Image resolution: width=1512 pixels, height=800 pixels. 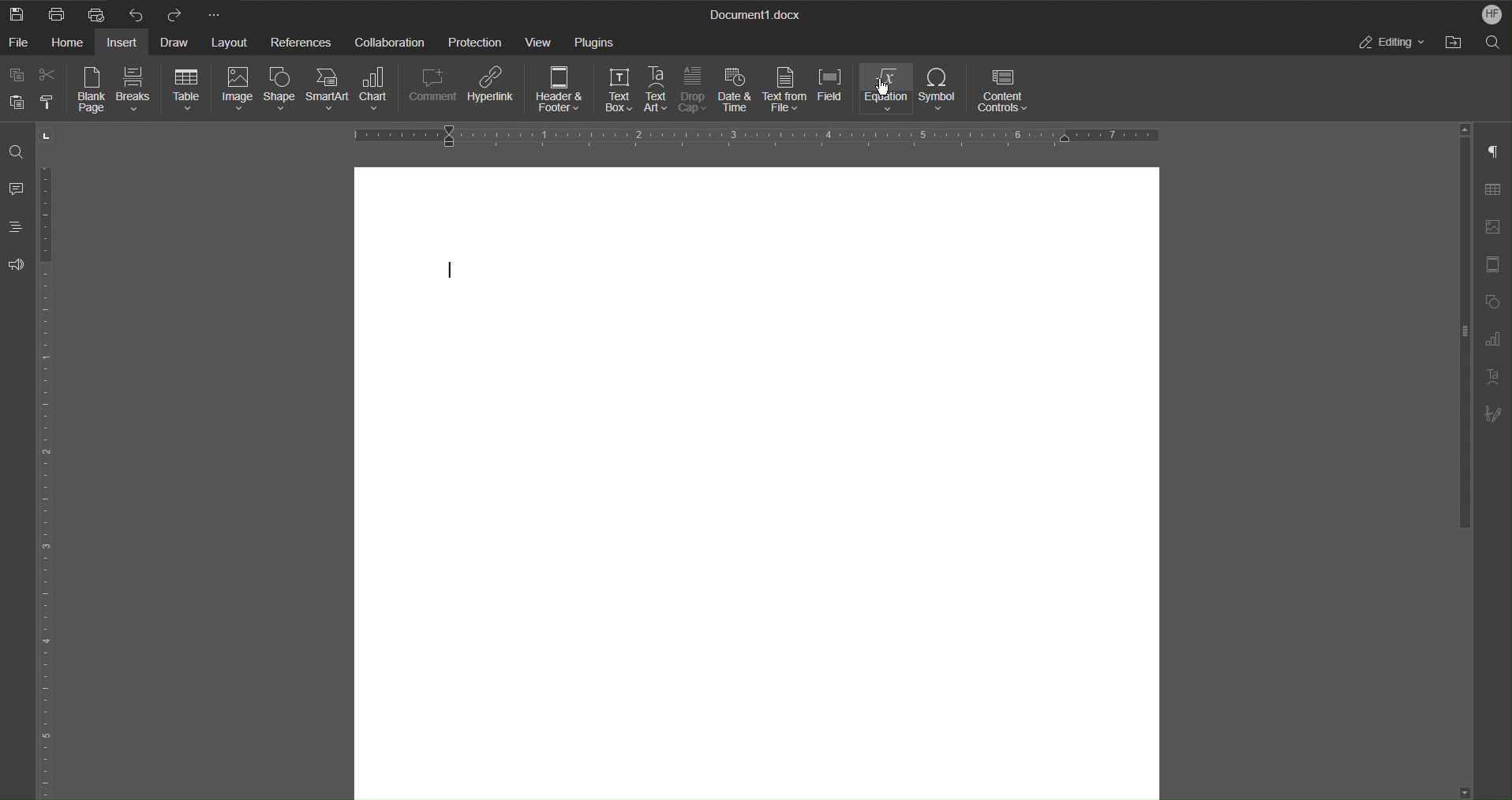 I want to click on Comment, so click(x=431, y=91).